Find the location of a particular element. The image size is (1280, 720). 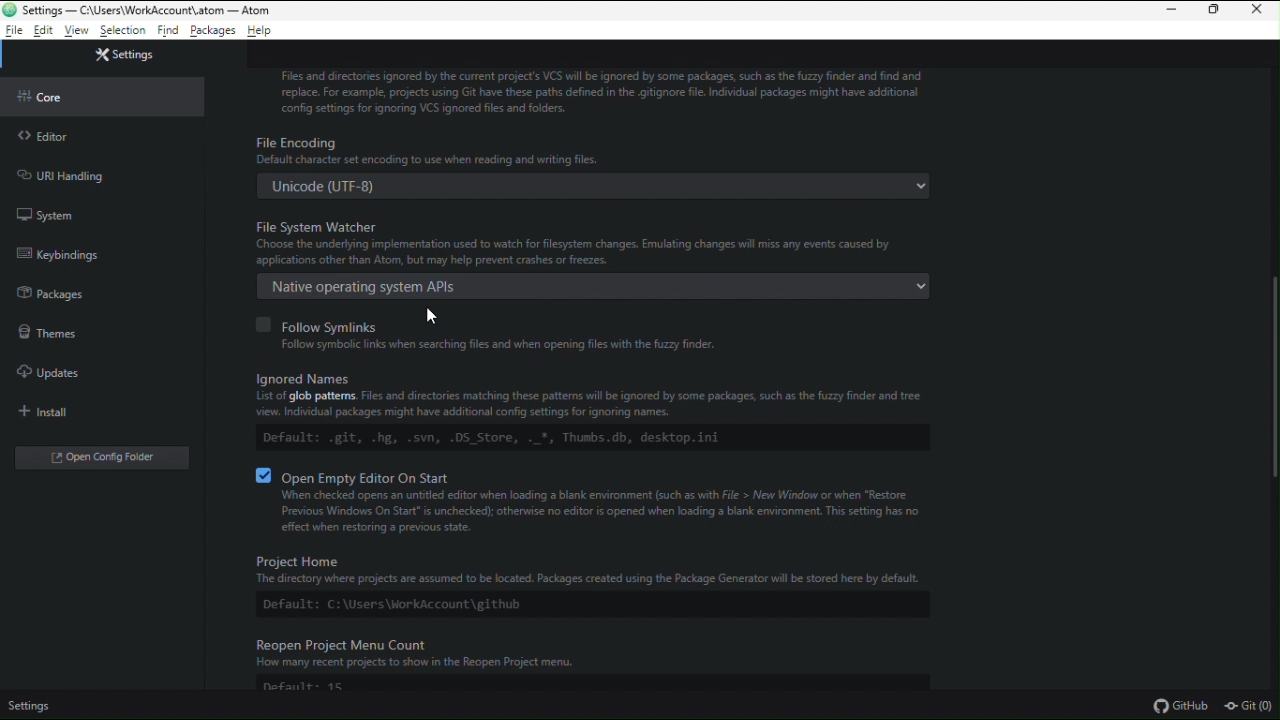

install is located at coordinates (50, 413).